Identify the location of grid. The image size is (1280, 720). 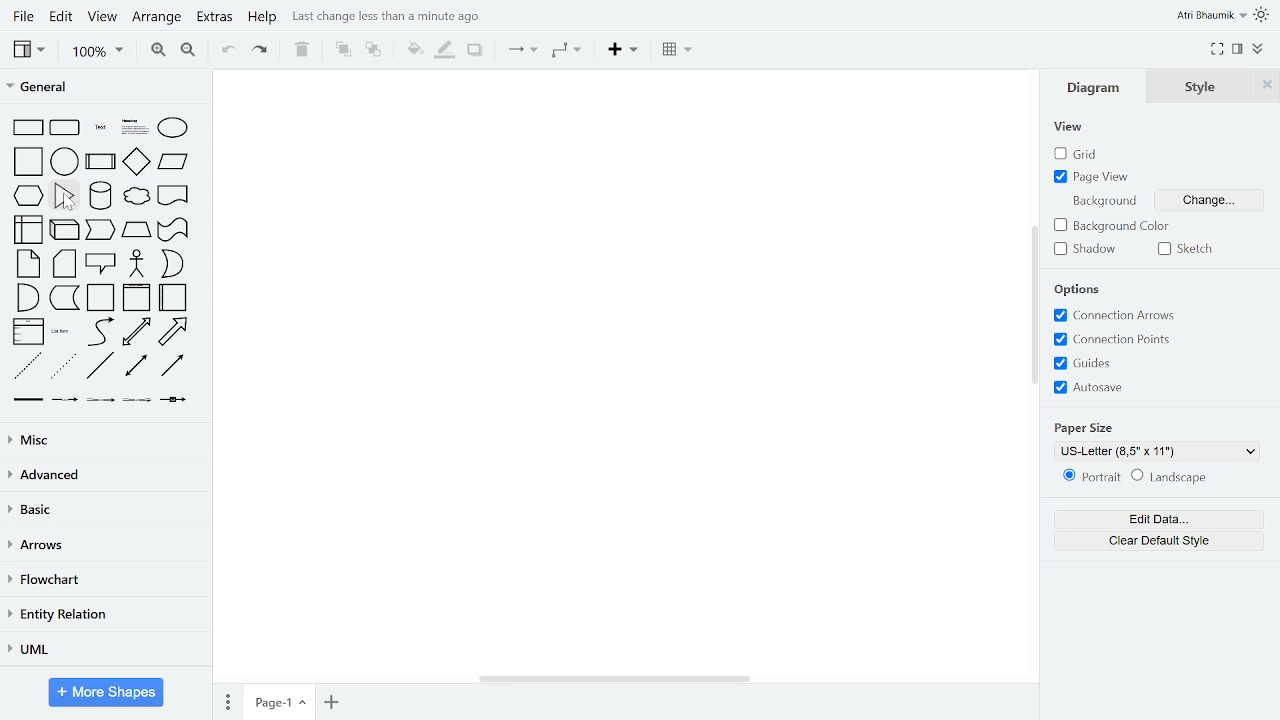
(1078, 151).